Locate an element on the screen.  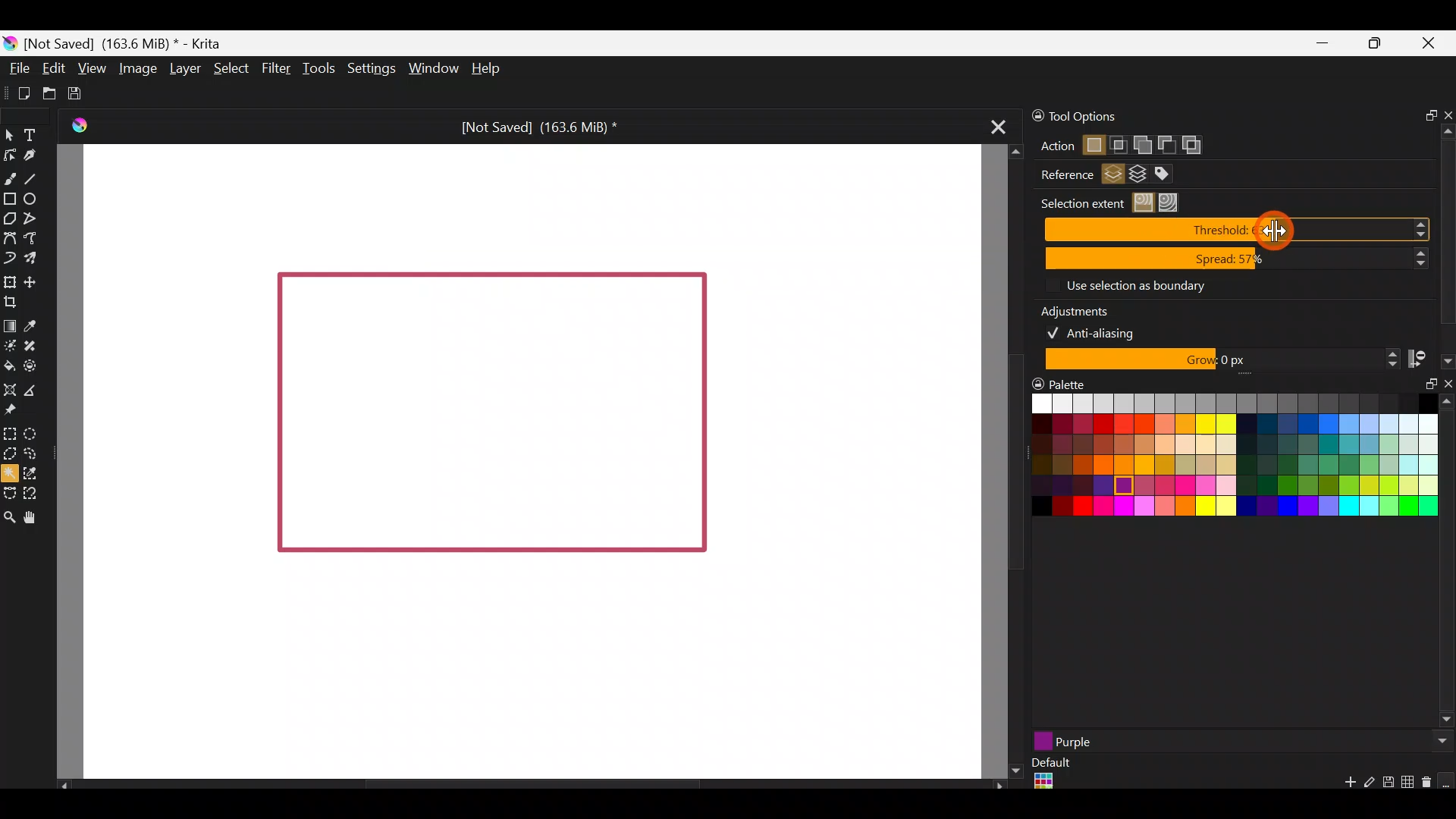
Palette is located at coordinates (1061, 383).